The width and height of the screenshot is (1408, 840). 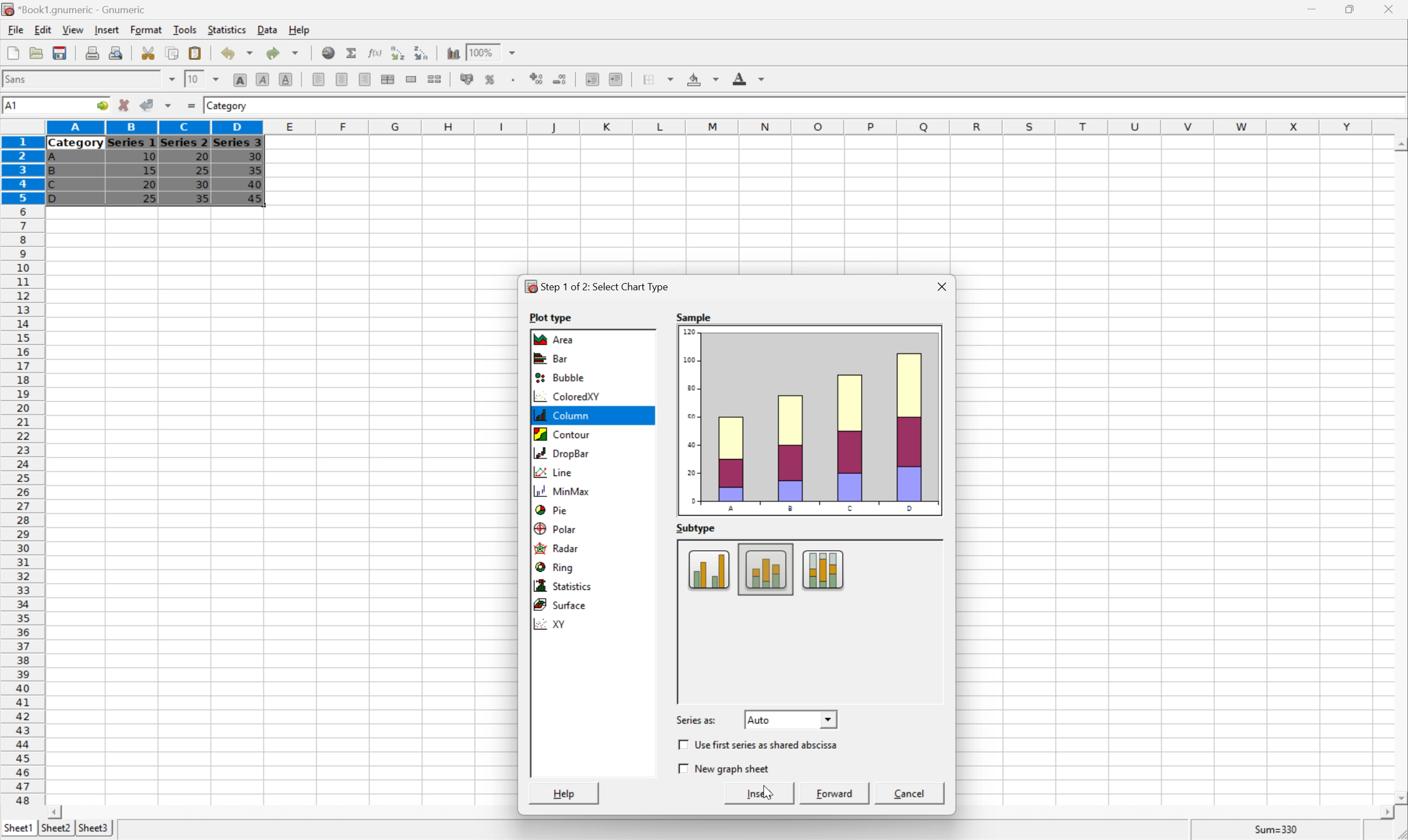 I want to click on Contour, so click(x=563, y=433).